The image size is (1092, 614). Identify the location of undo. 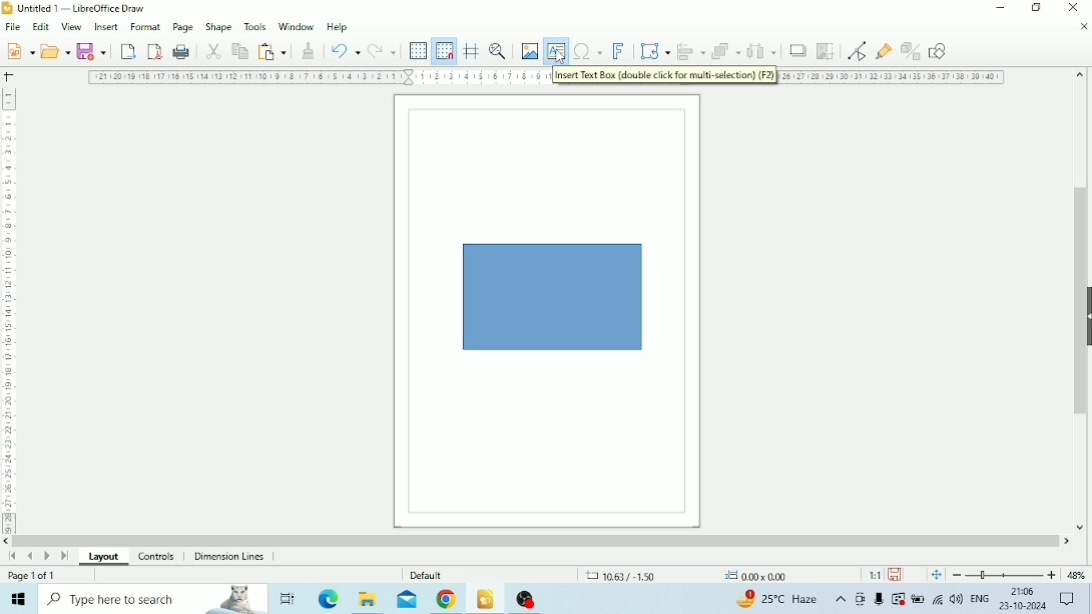
(345, 51).